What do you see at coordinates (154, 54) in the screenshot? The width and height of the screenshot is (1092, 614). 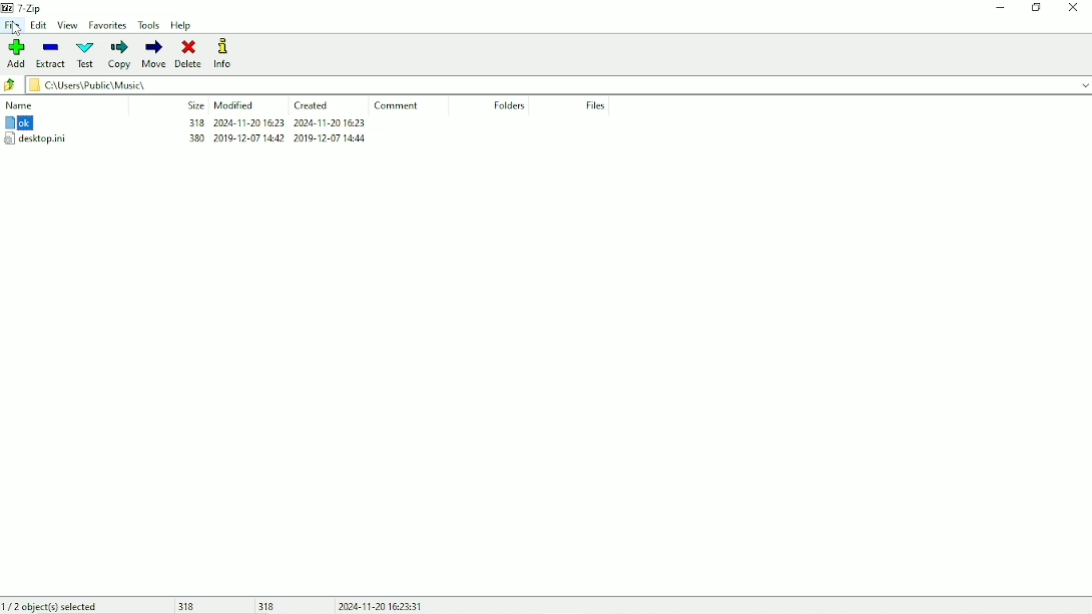 I see `Move` at bounding box center [154, 54].